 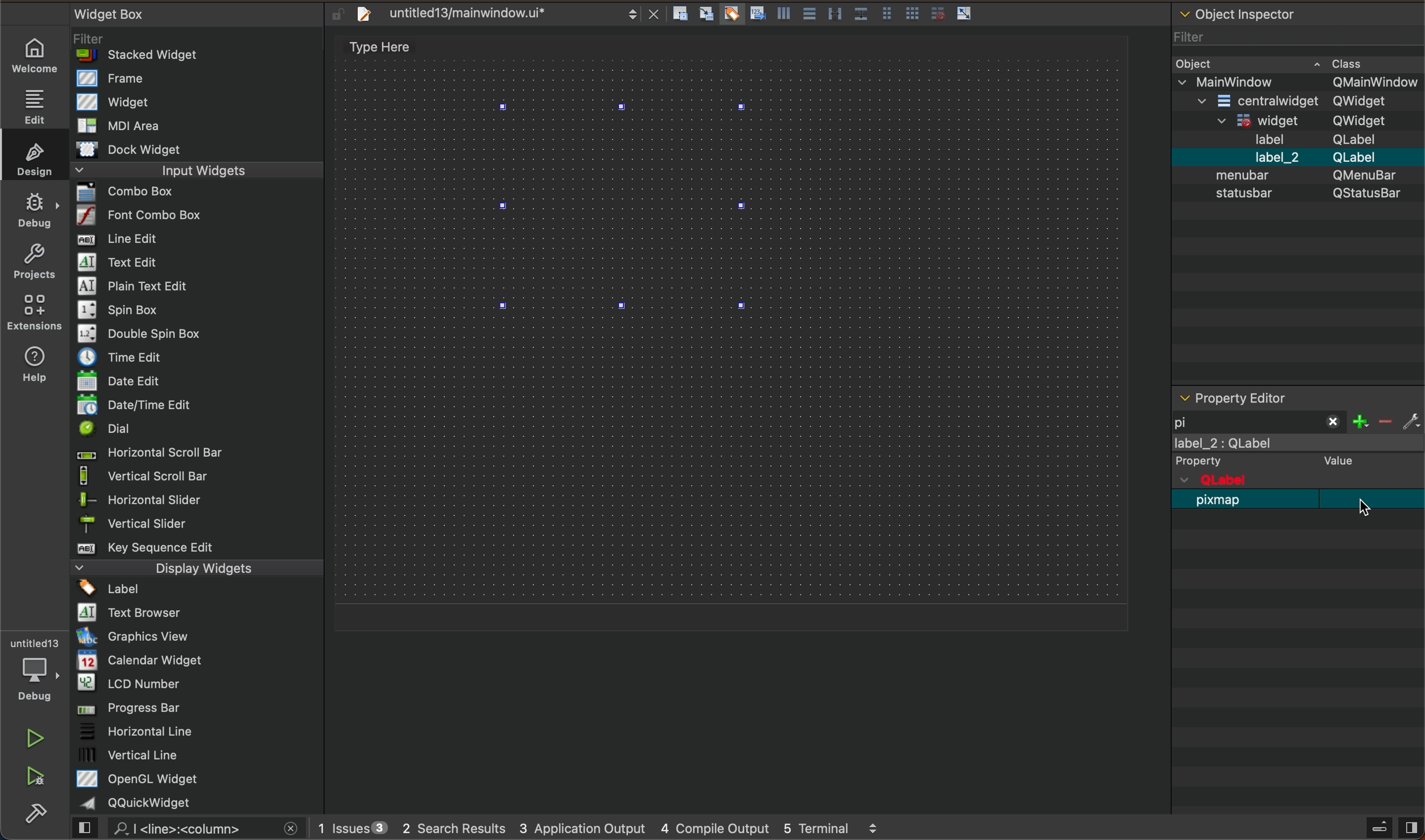 What do you see at coordinates (626, 207) in the screenshot?
I see `label widget` at bounding box center [626, 207].